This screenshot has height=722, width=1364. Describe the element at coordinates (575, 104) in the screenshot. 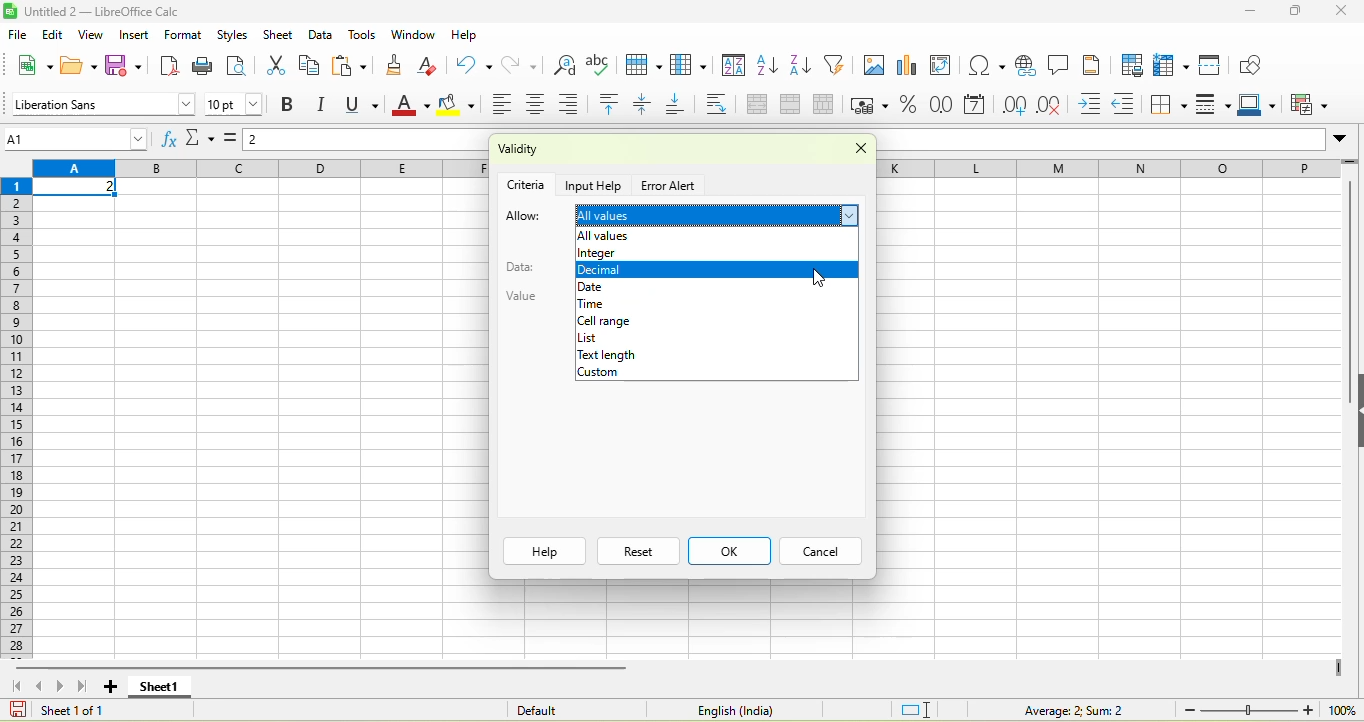

I see `align right` at that location.